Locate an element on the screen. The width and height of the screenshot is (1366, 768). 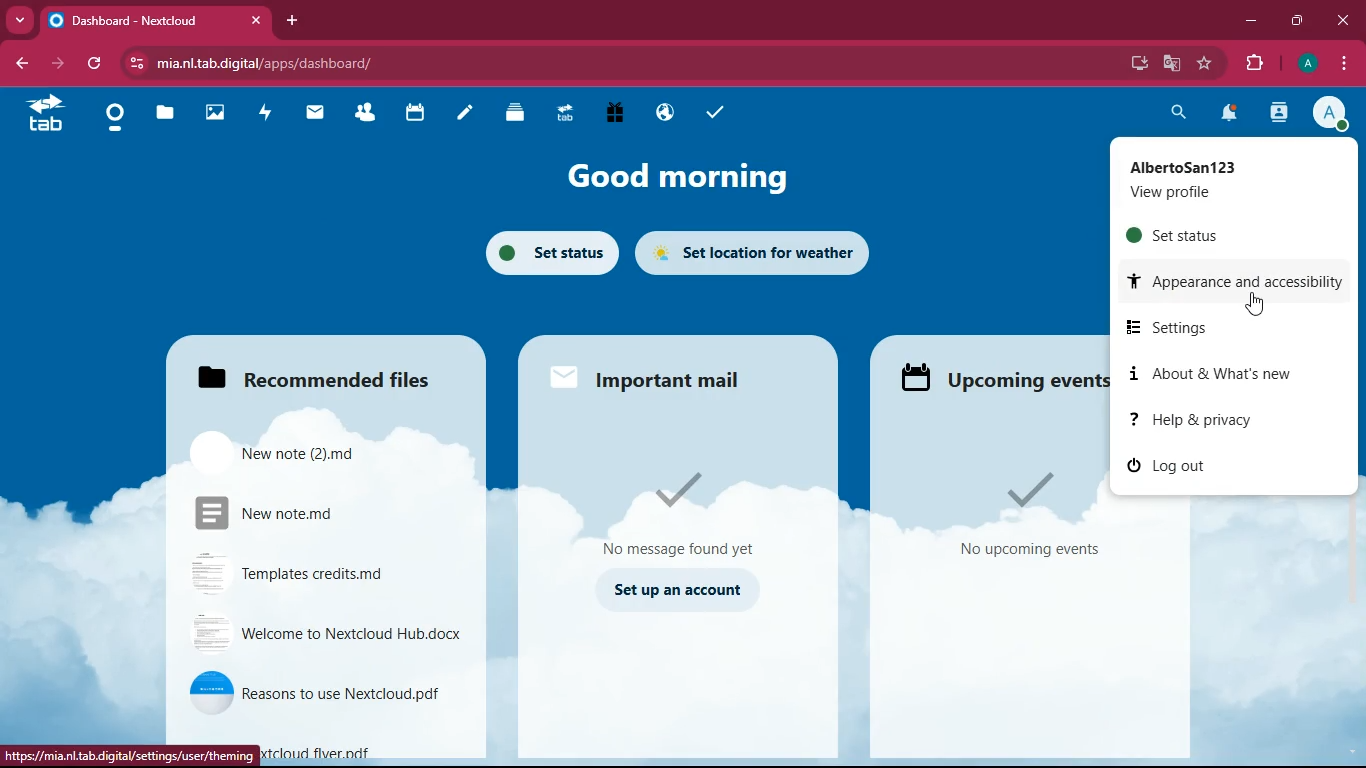
file is located at coordinates (326, 631).